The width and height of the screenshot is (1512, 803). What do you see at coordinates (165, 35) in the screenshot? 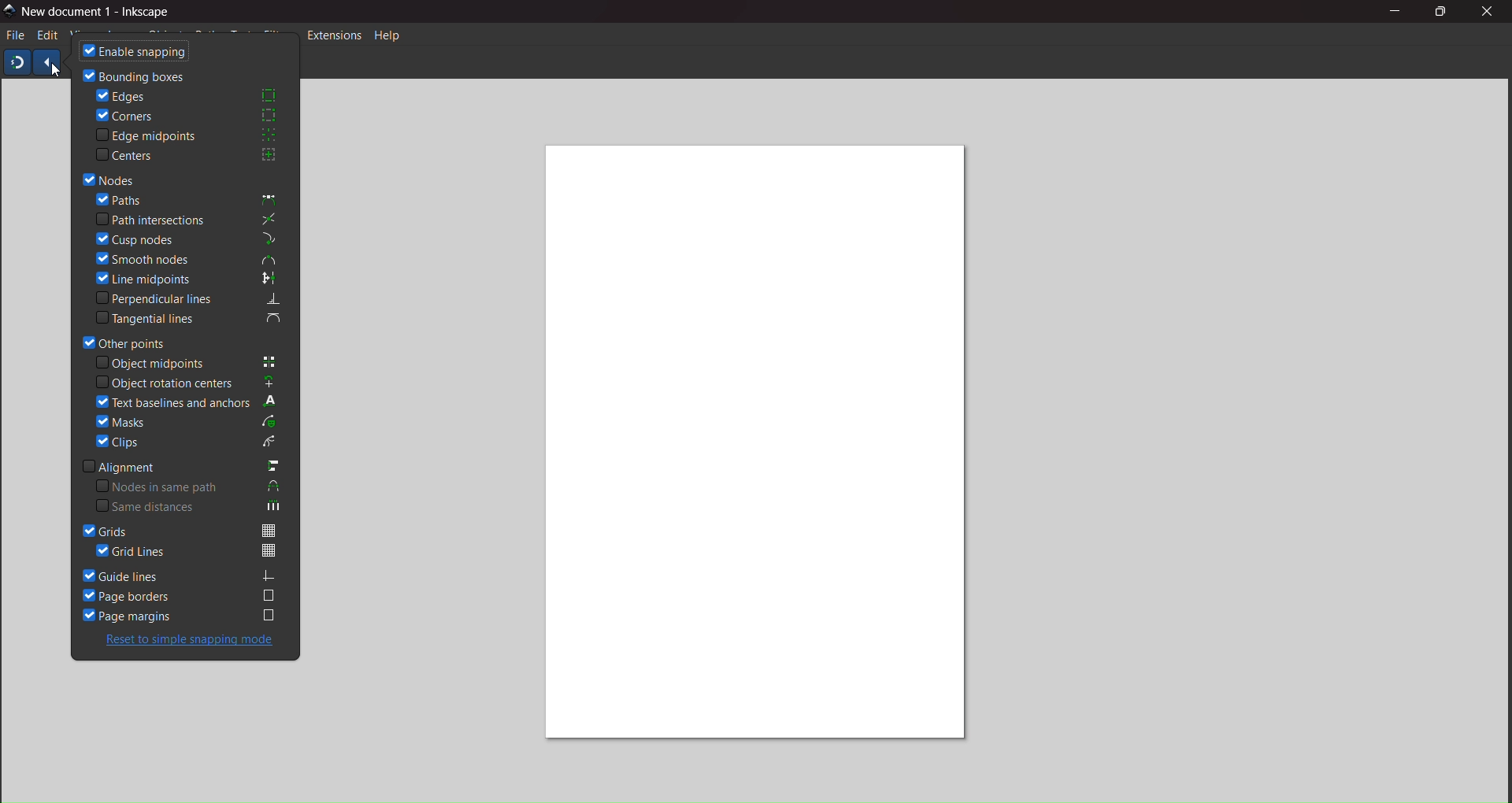
I see `object` at bounding box center [165, 35].